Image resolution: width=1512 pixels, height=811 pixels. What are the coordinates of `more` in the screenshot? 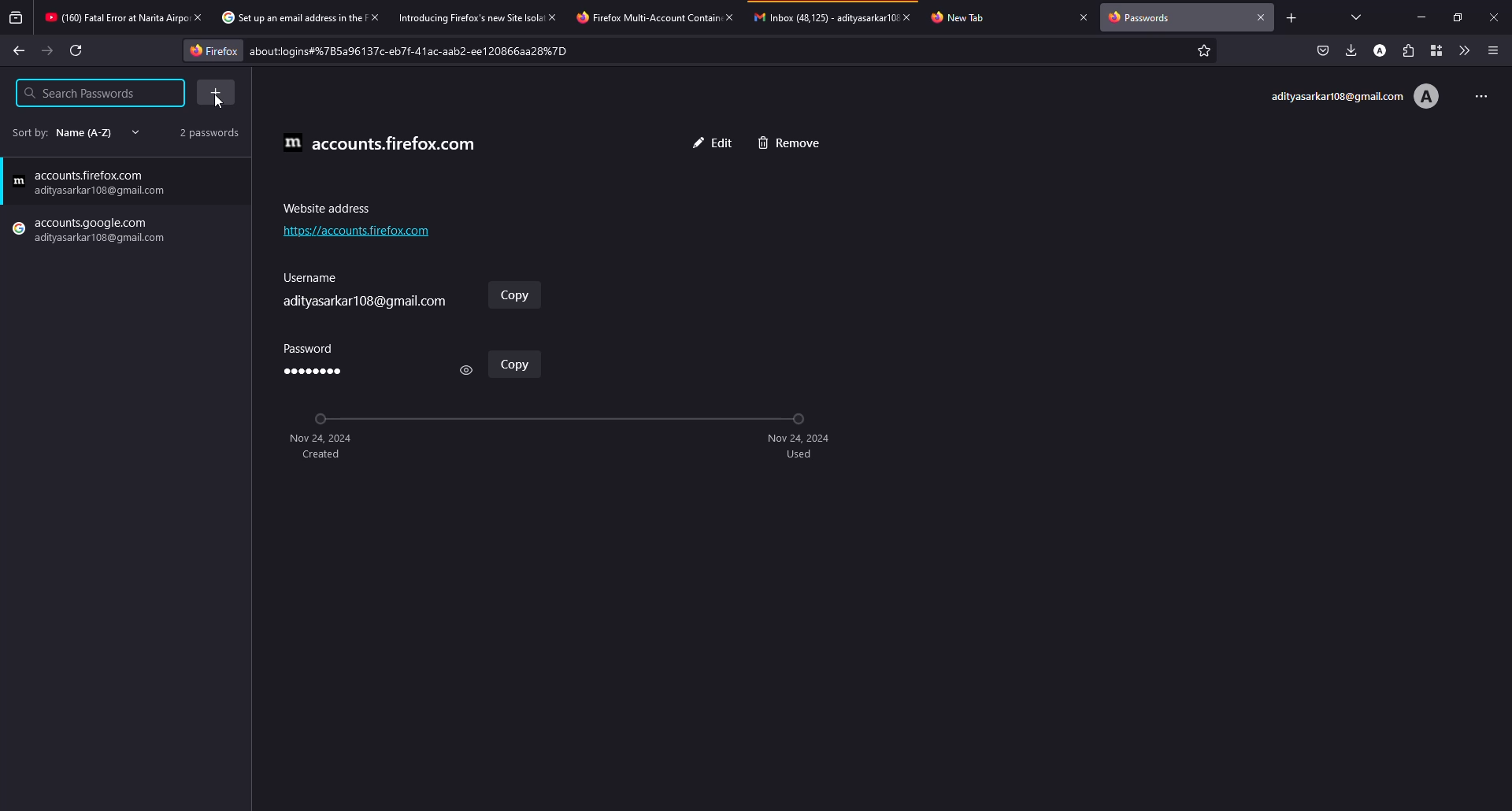 It's located at (1486, 94).